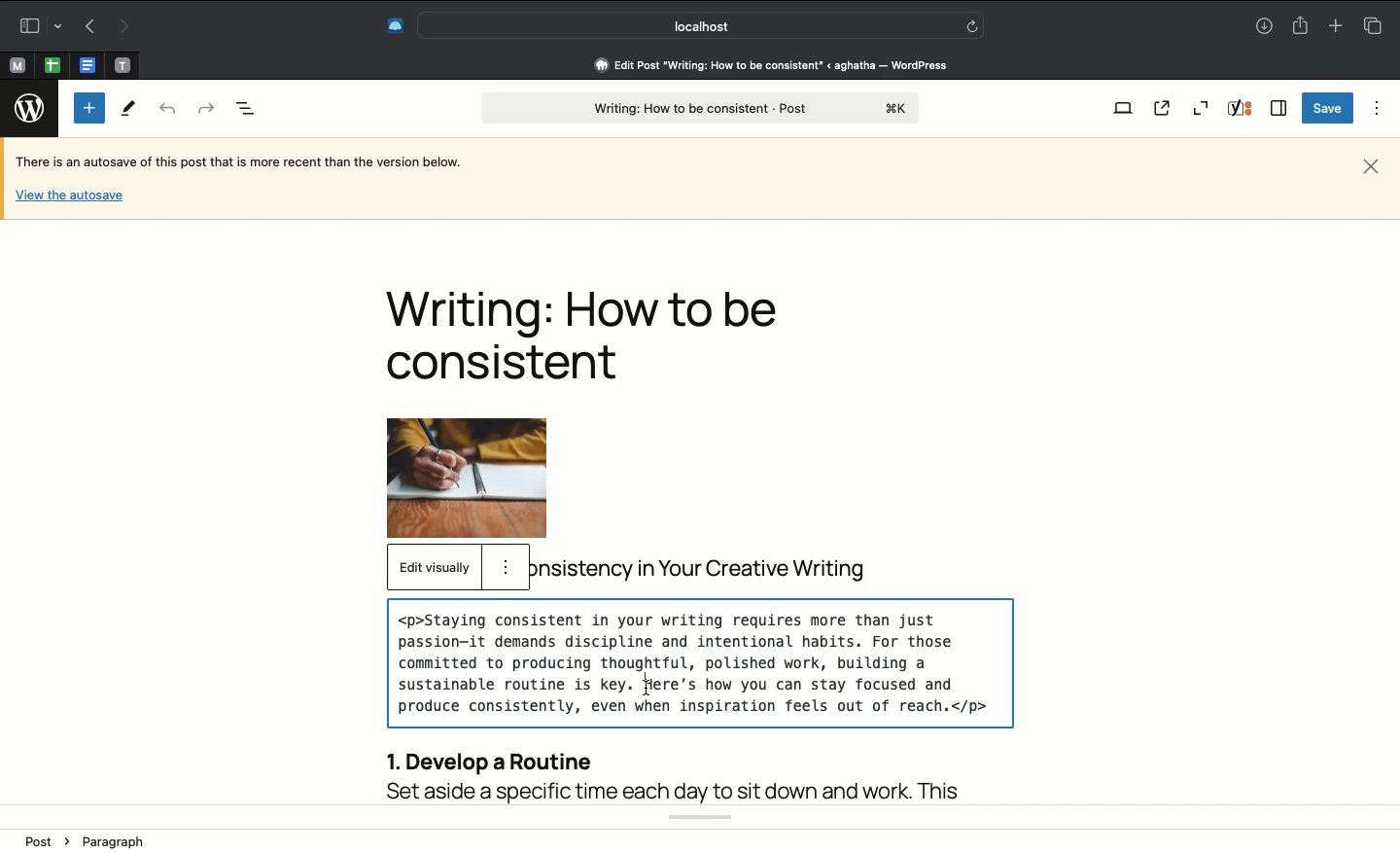  What do you see at coordinates (434, 568) in the screenshot?
I see `Edit visually ` at bounding box center [434, 568].